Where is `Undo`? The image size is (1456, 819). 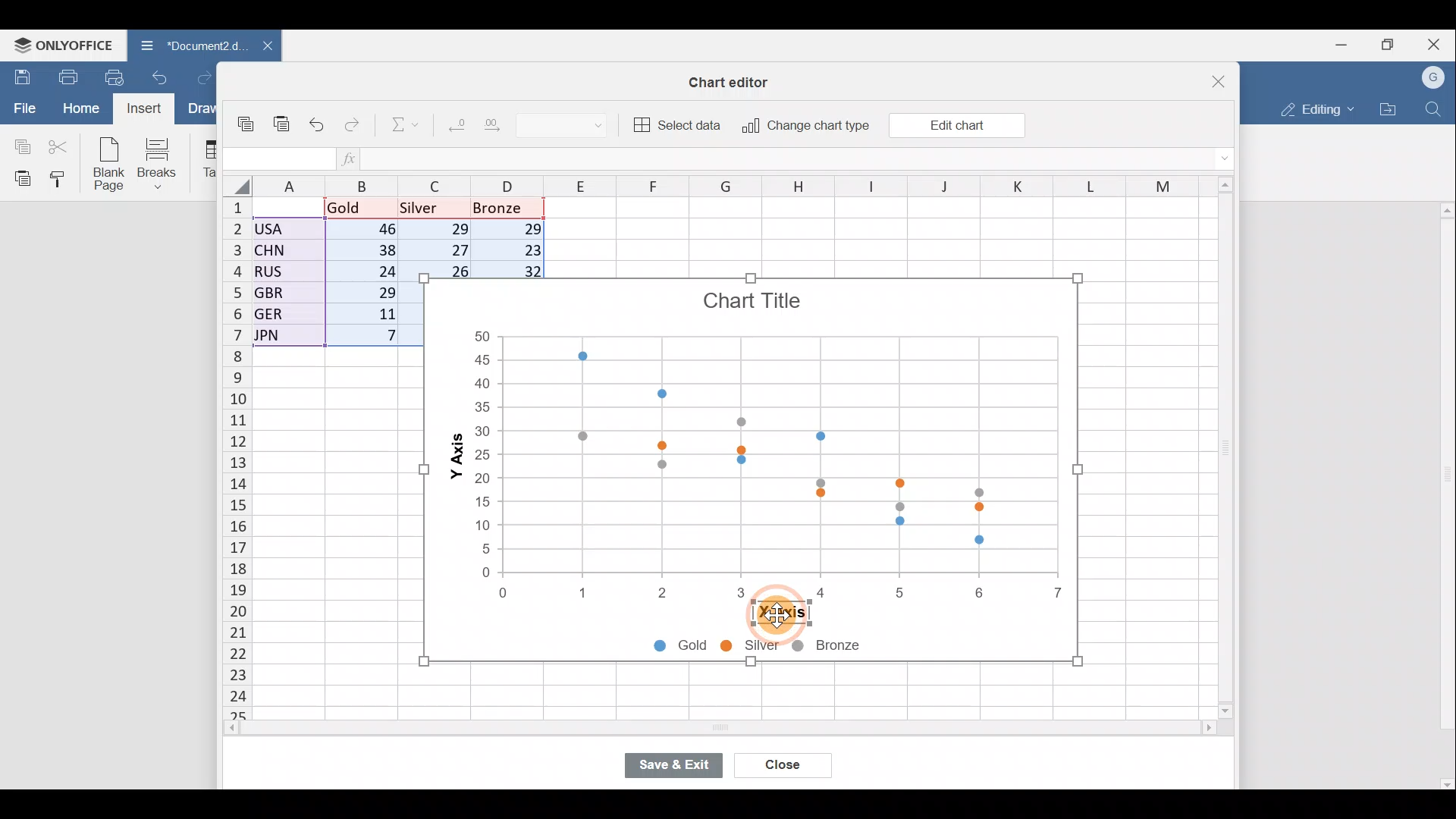 Undo is located at coordinates (160, 76).